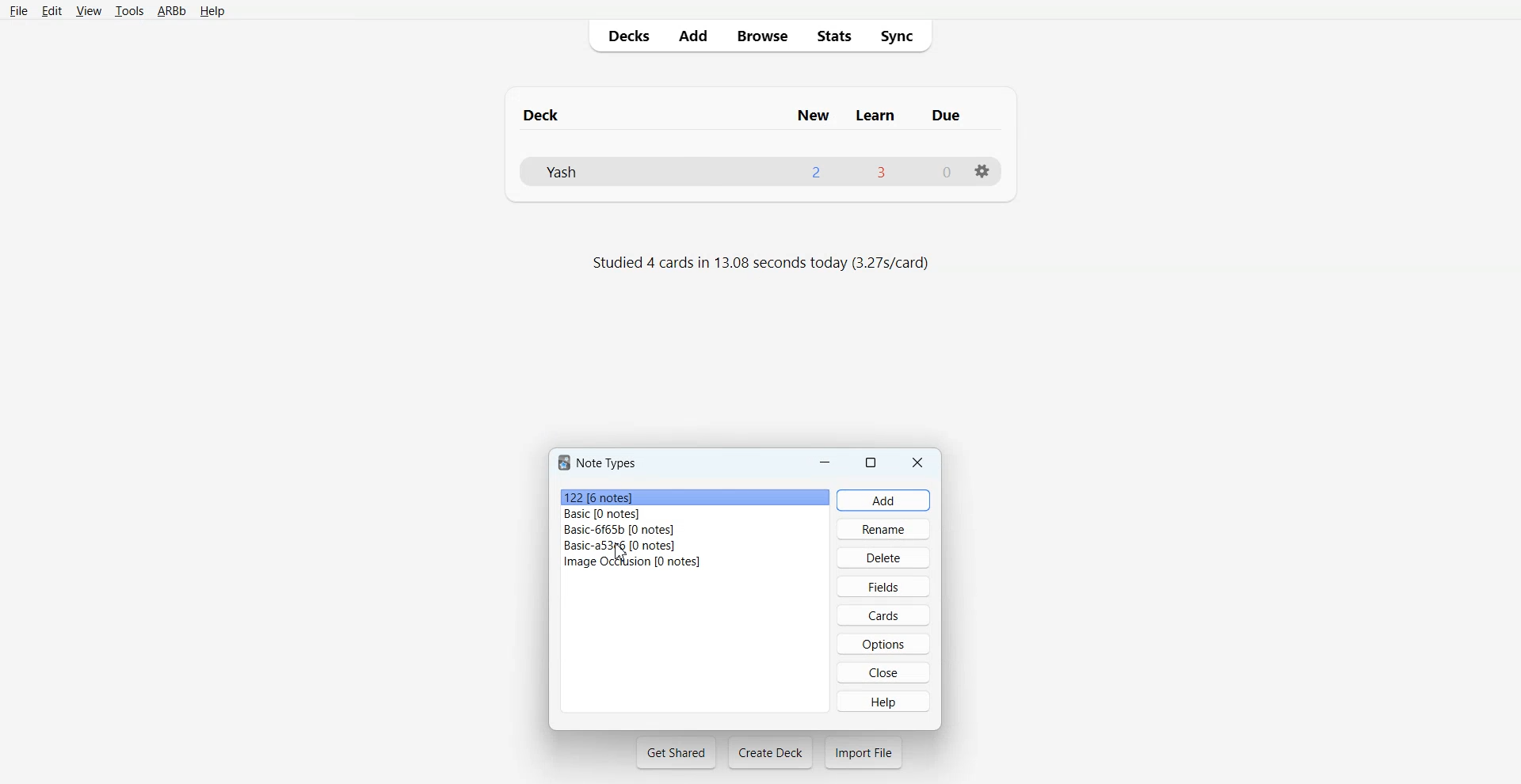  What do you see at coordinates (882, 615) in the screenshot?
I see `Cards` at bounding box center [882, 615].